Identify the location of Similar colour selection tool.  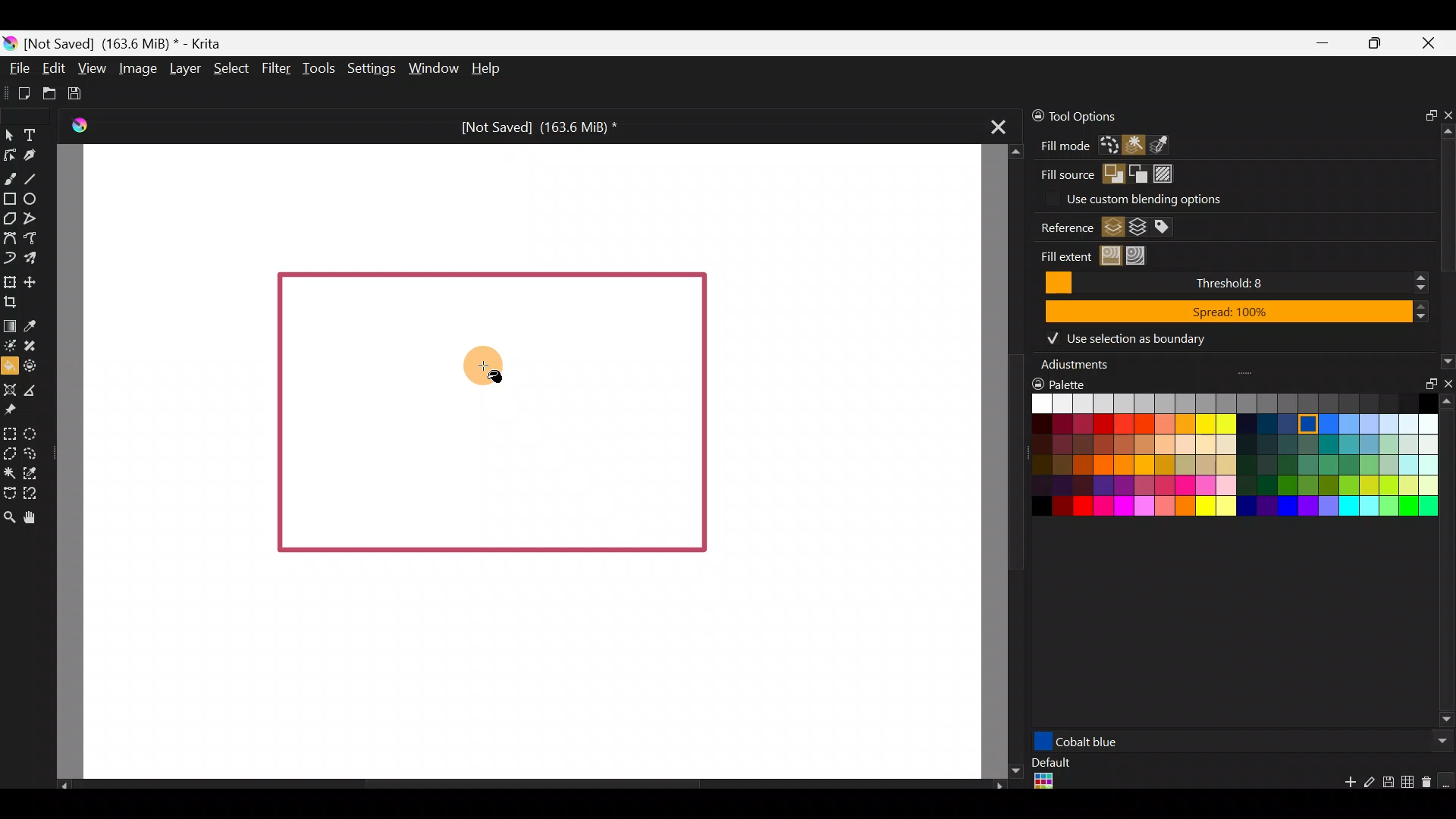
(42, 472).